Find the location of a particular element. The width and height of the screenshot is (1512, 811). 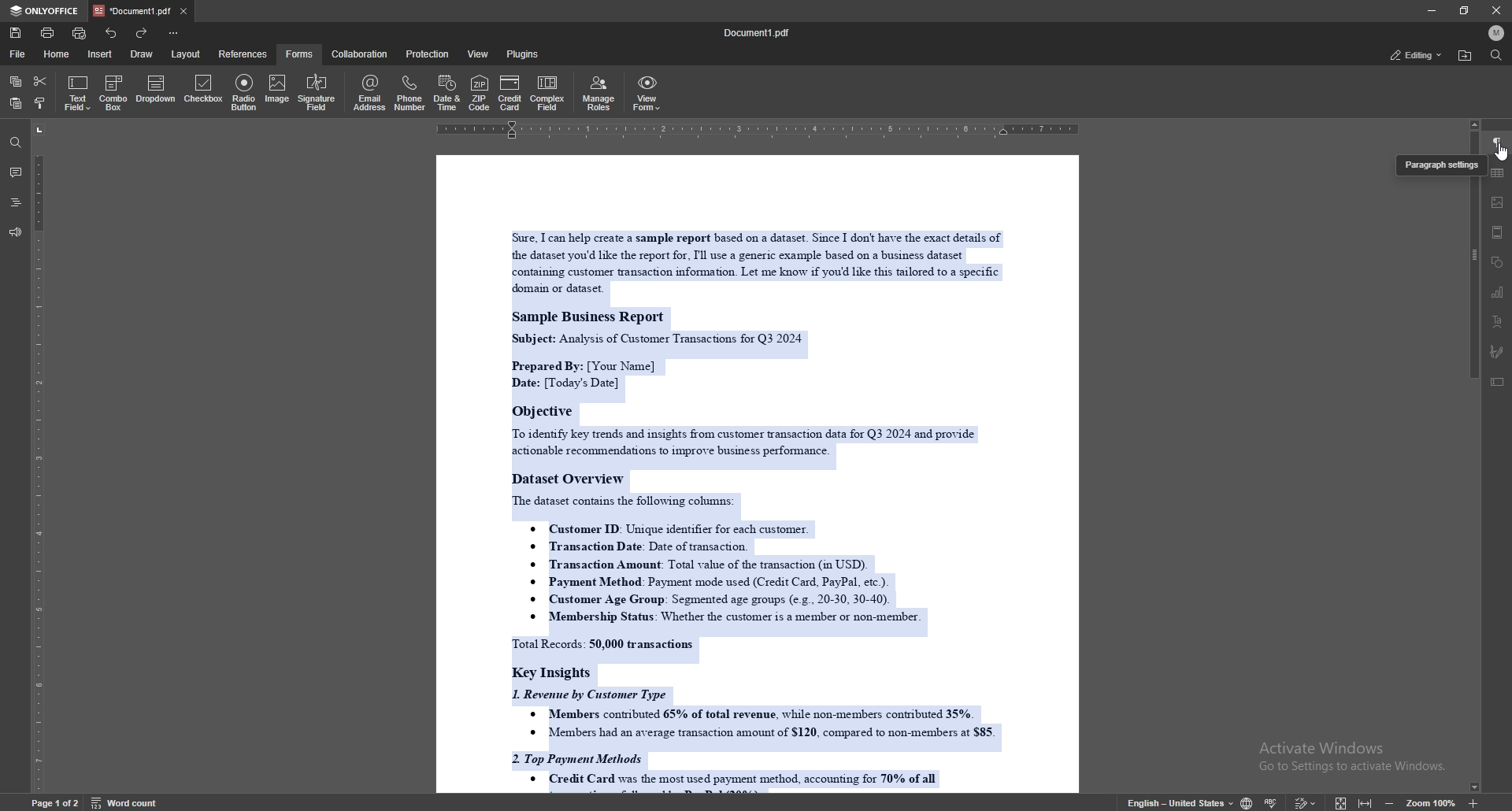

quick print is located at coordinates (81, 33).